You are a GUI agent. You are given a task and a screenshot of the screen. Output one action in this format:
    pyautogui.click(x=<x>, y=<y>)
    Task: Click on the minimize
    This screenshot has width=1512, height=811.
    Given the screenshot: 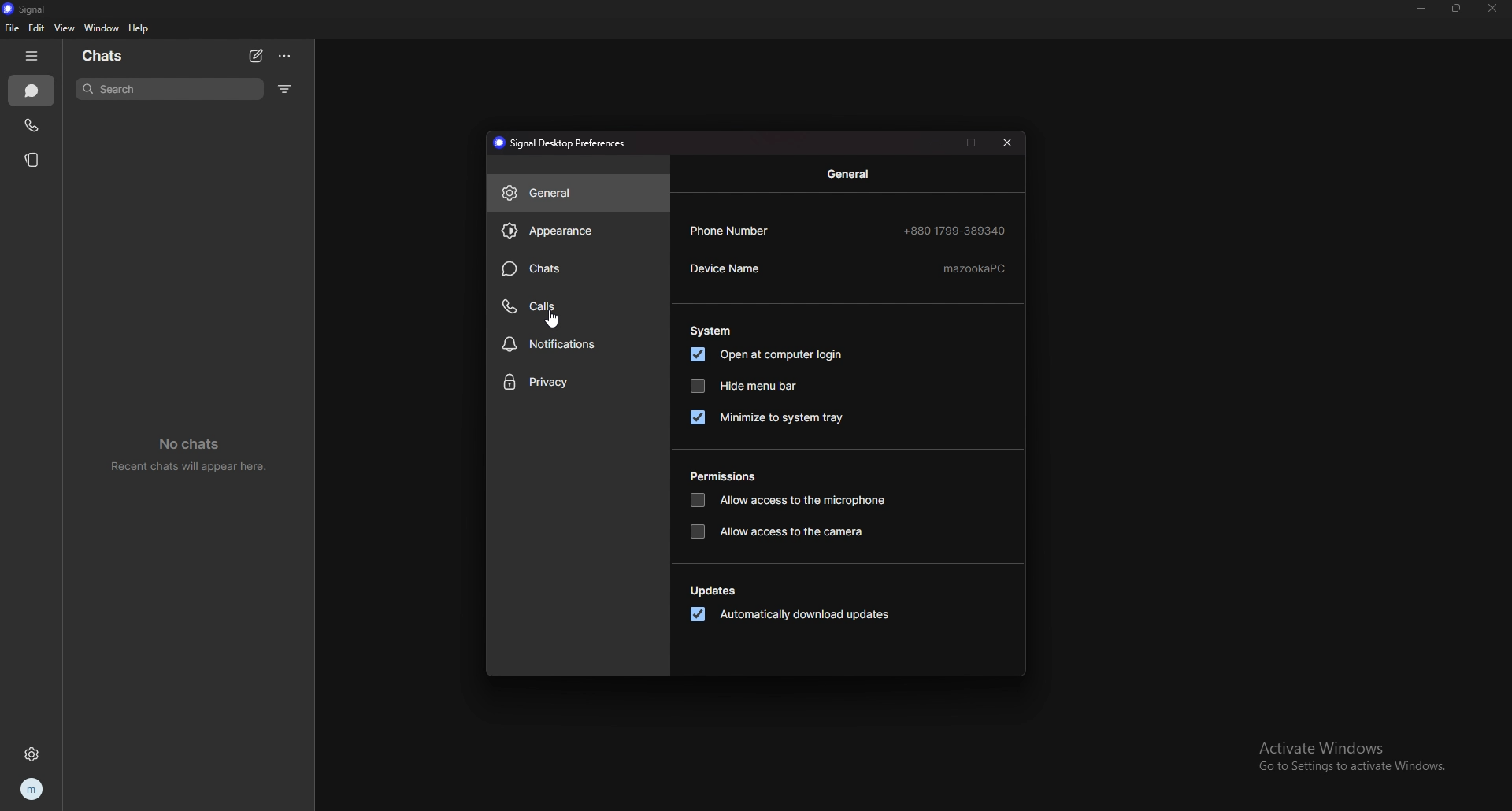 What is the action you would take?
    pyautogui.click(x=937, y=142)
    